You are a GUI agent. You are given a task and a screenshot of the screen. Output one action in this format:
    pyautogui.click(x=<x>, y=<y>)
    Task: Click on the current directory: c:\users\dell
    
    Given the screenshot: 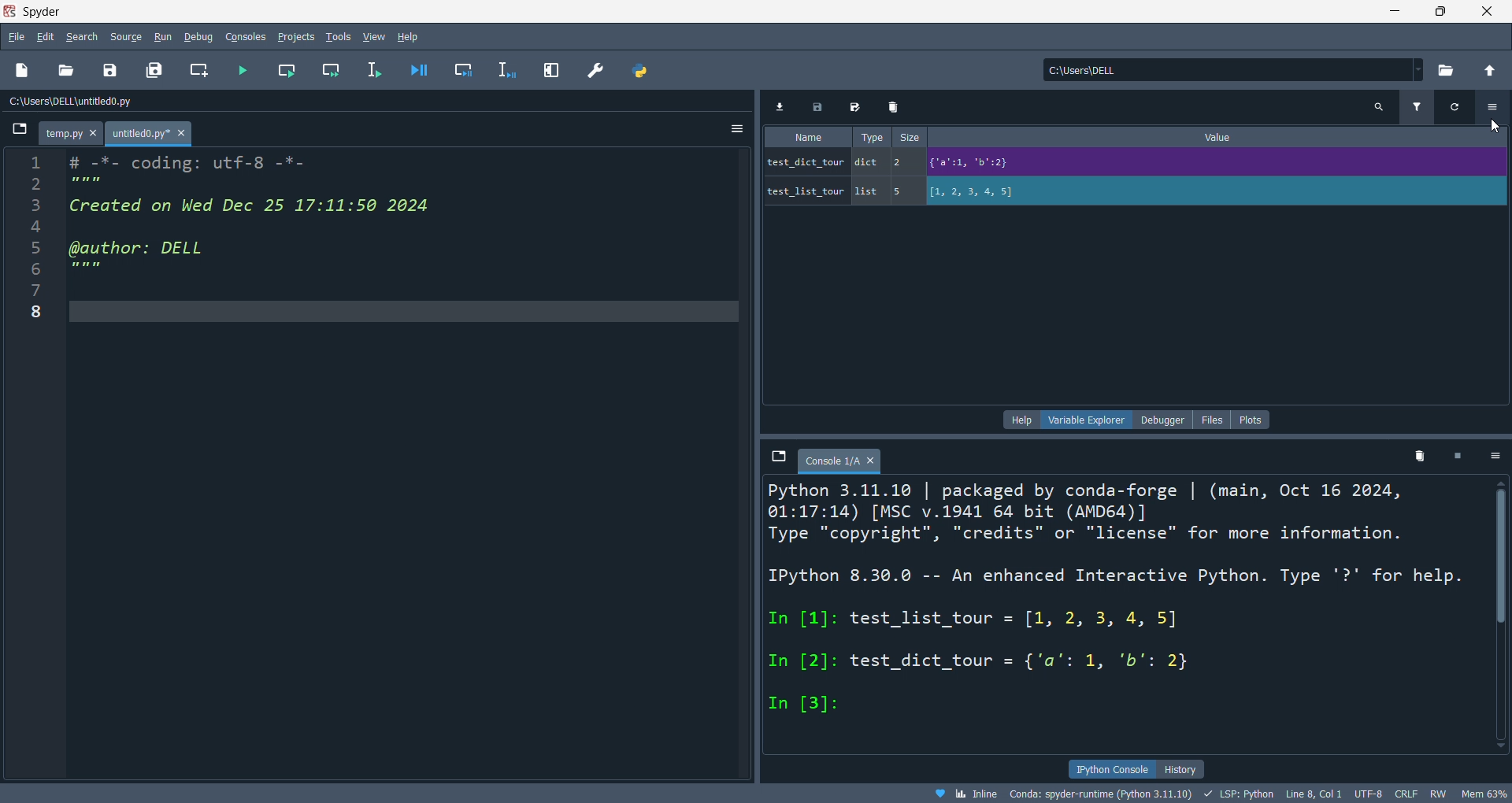 What is the action you would take?
    pyautogui.click(x=1230, y=71)
    